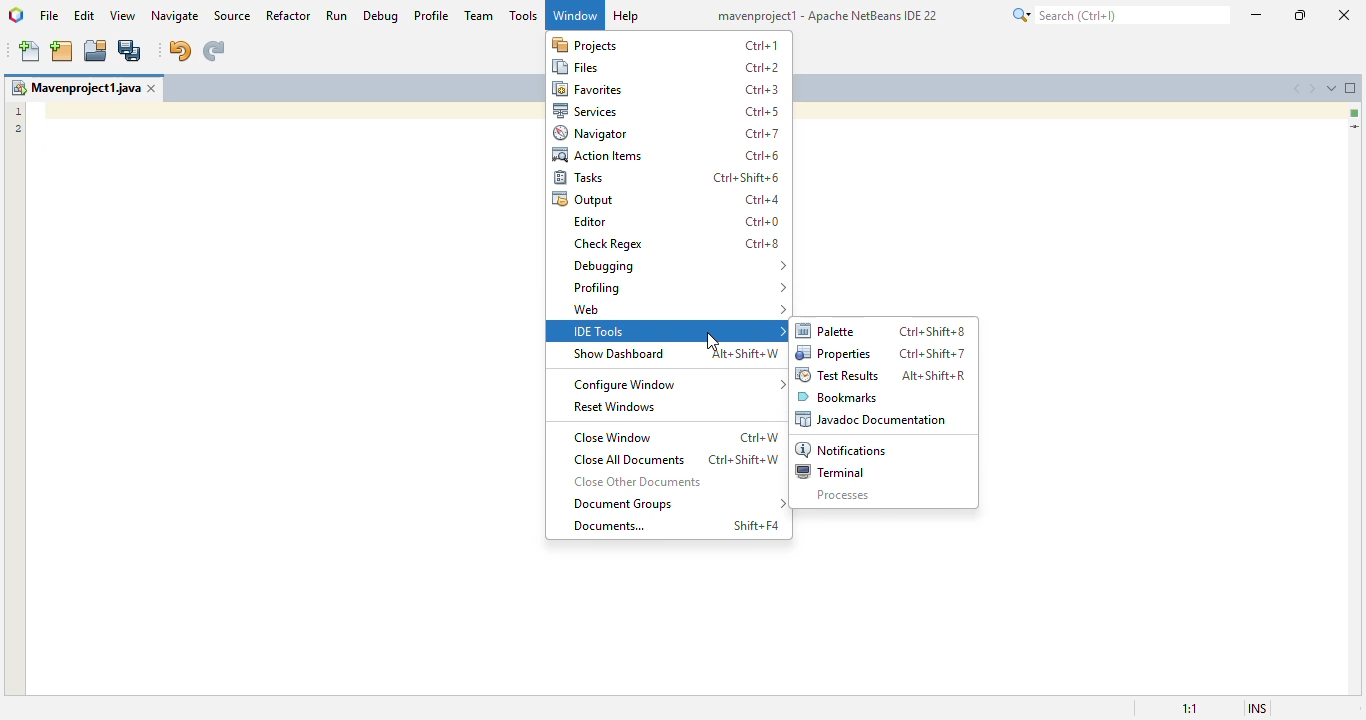 This screenshot has width=1366, height=720. What do you see at coordinates (761, 46) in the screenshot?
I see `shortcut for projects` at bounding box center [761, 46].